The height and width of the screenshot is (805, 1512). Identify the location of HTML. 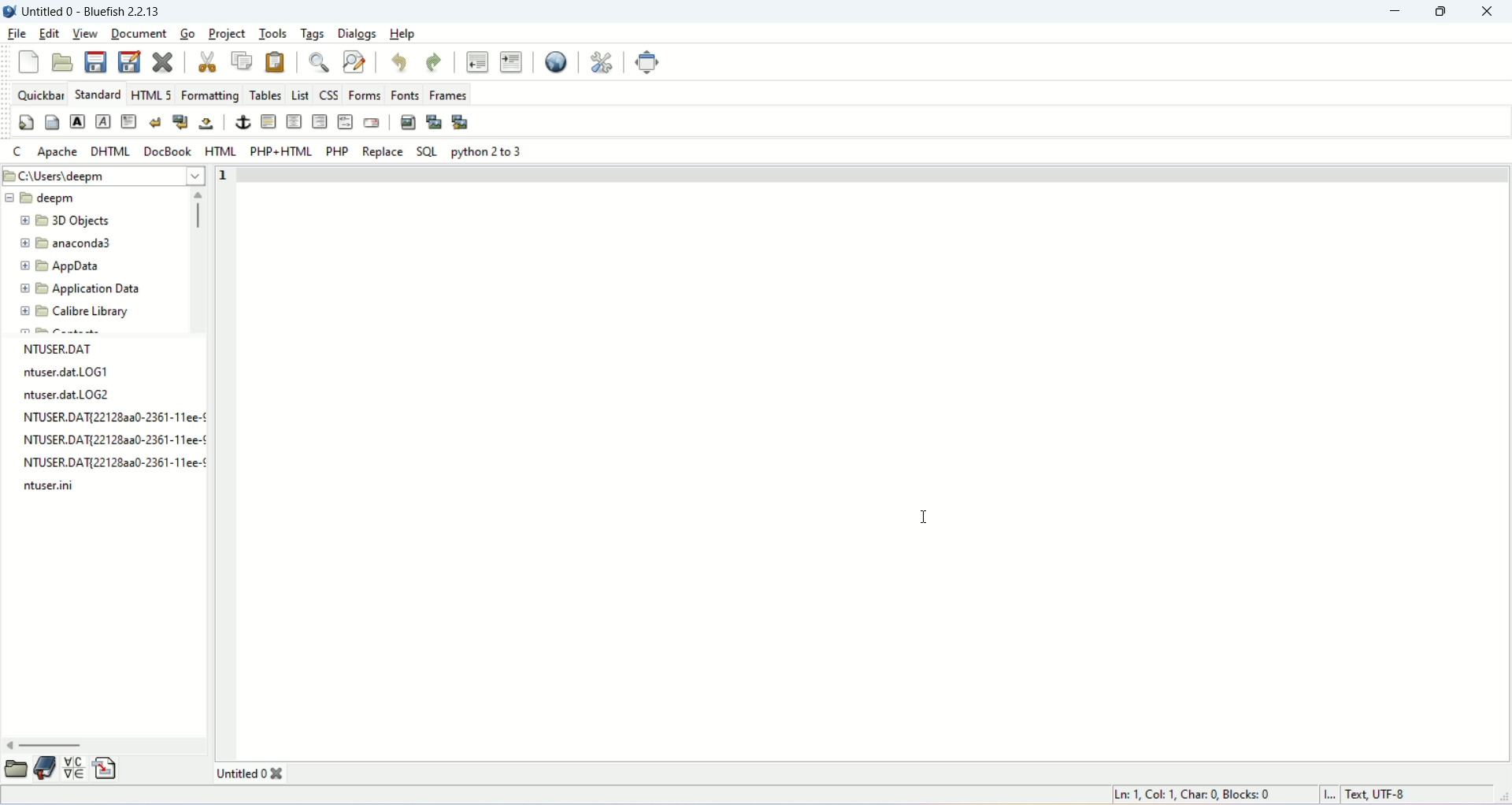
(220, 151).